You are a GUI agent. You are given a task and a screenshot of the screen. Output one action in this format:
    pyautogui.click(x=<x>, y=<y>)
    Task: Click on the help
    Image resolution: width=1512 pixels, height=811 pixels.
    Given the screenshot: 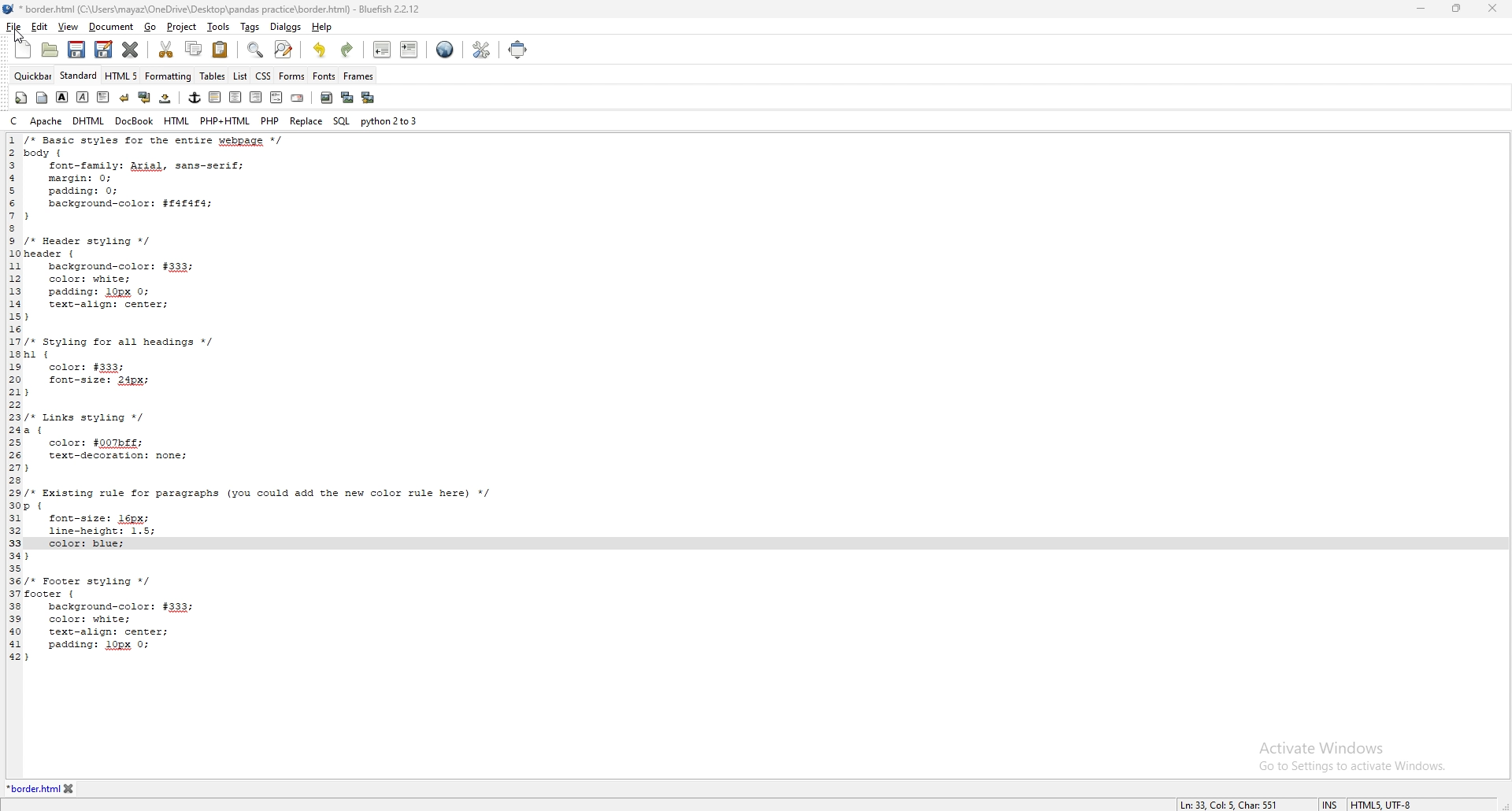 What is the action you would take?
    pyautogui.click(x=321, y=27)
    